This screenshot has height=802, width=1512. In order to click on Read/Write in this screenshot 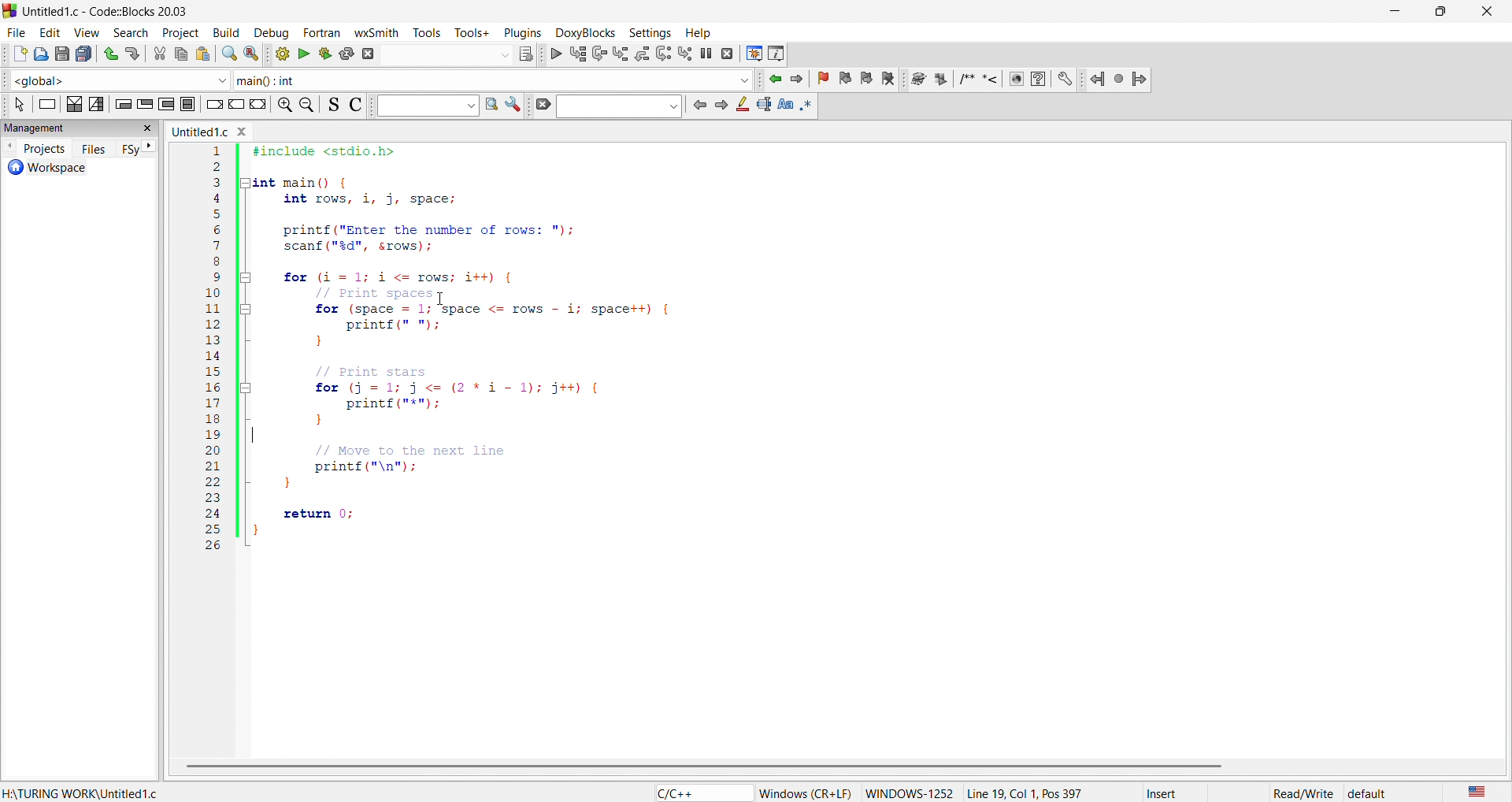, I will do `click(1303, 792)`.